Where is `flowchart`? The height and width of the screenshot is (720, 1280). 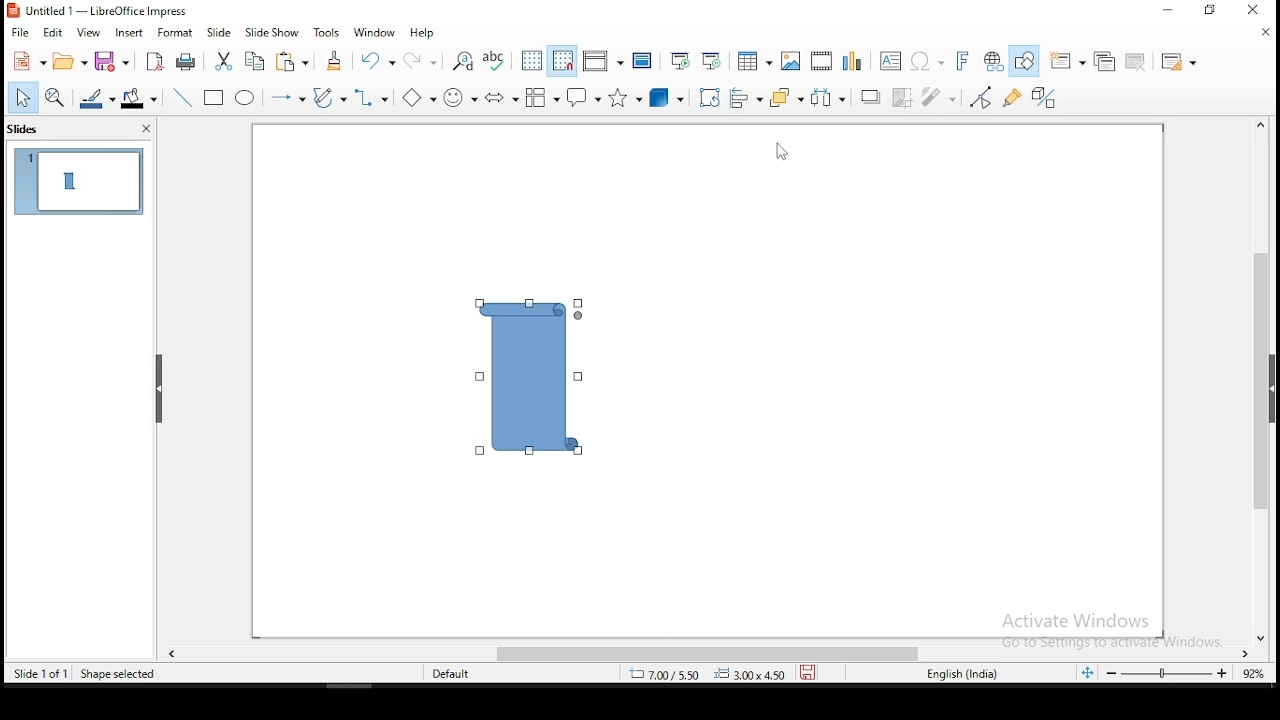 flowchart is located at coordinates (544, 98).